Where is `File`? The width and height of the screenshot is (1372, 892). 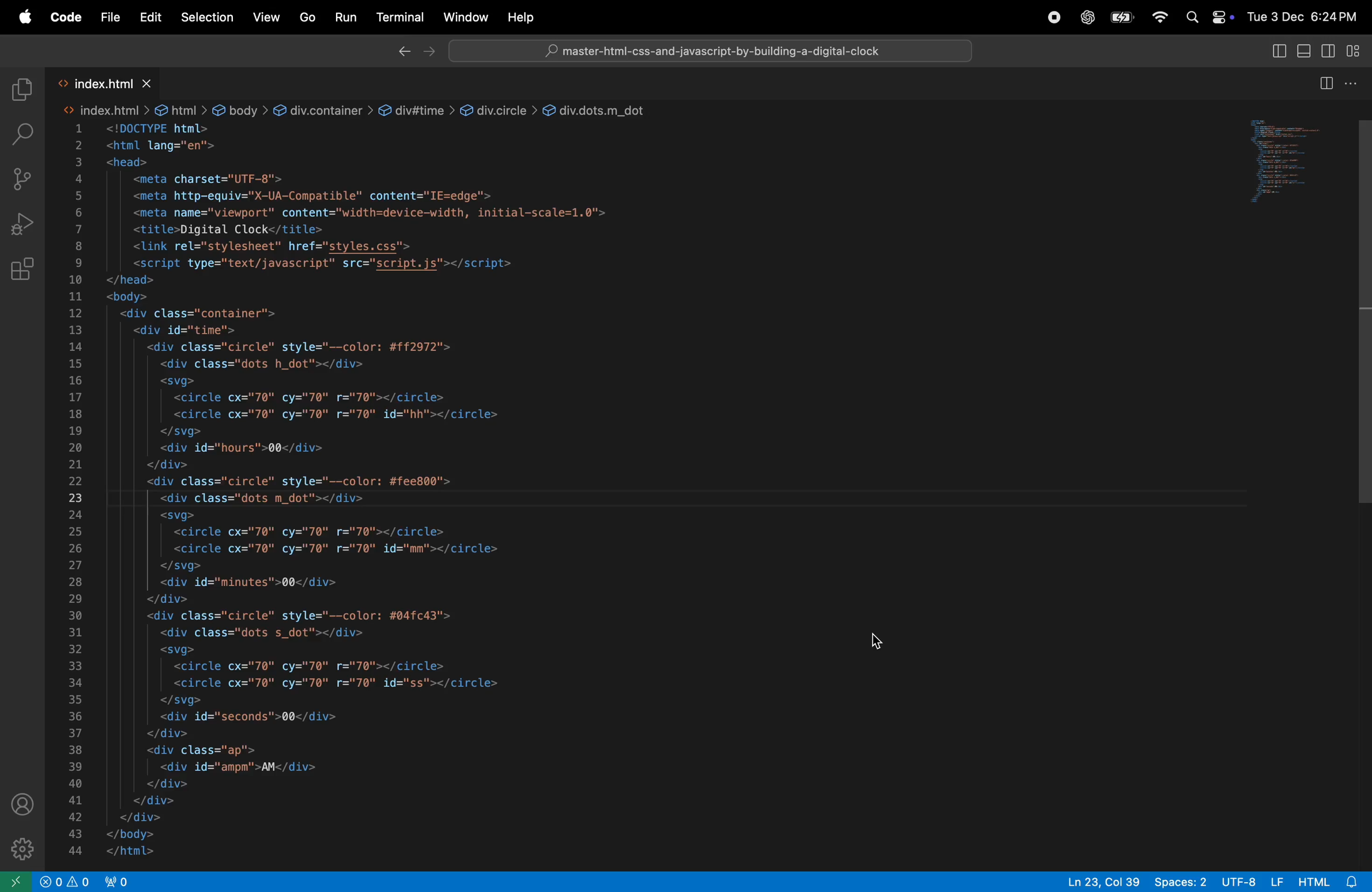 File is located at coordinates (107, 14).